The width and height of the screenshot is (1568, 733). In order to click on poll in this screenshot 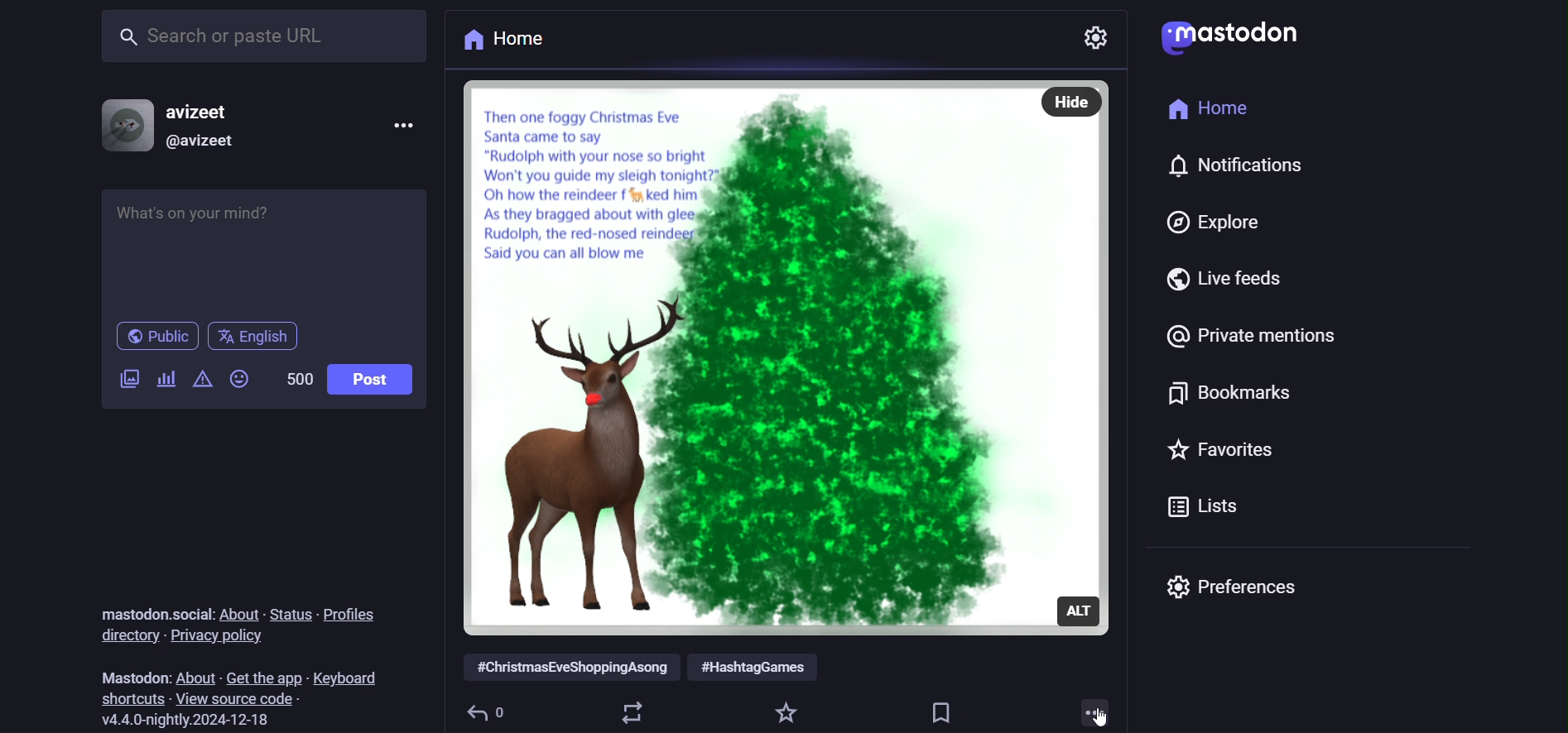, I will do `click(165, 378)`.